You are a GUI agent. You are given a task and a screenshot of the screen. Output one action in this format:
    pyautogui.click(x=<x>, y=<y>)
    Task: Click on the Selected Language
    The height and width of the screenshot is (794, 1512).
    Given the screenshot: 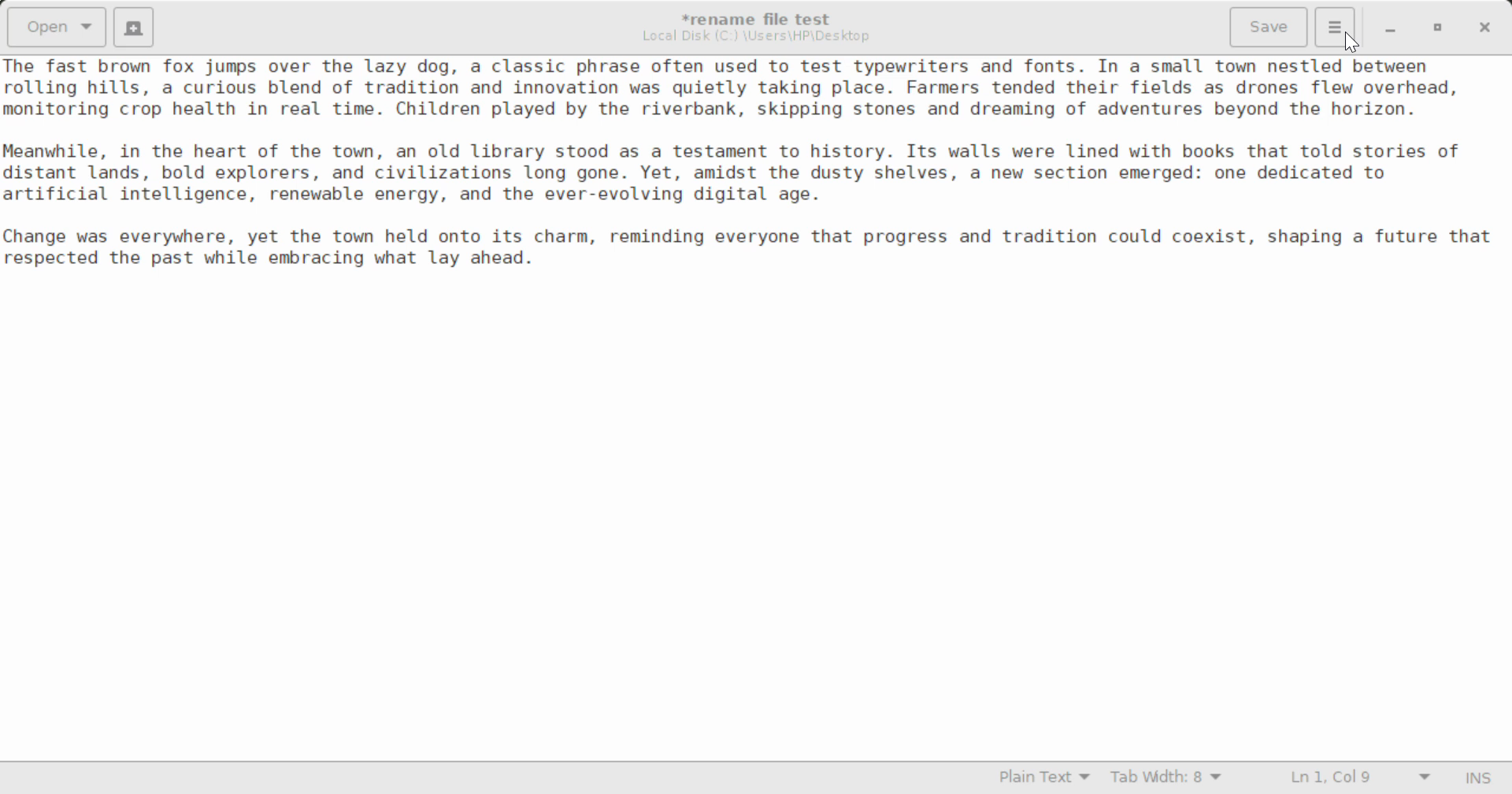 What is the action you would take?
    pyautogui.click(x=1036, y=779)
    